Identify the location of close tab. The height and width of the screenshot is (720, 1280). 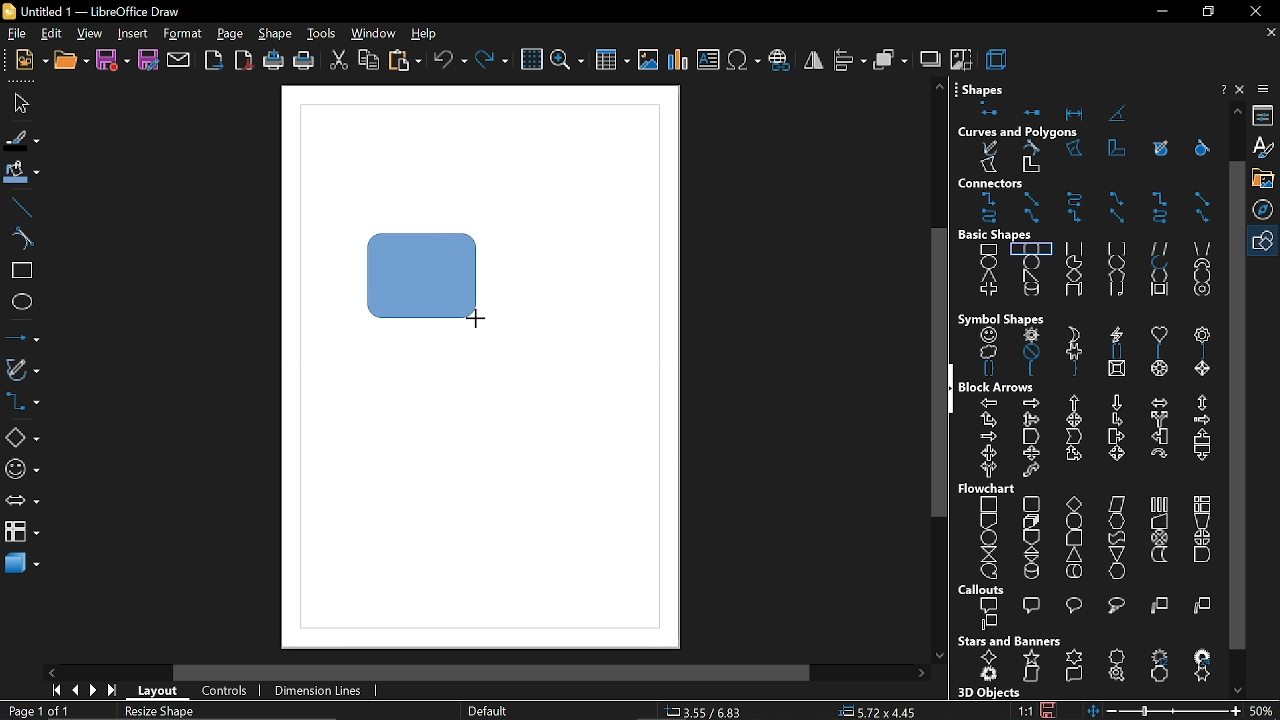
(1271, 33).